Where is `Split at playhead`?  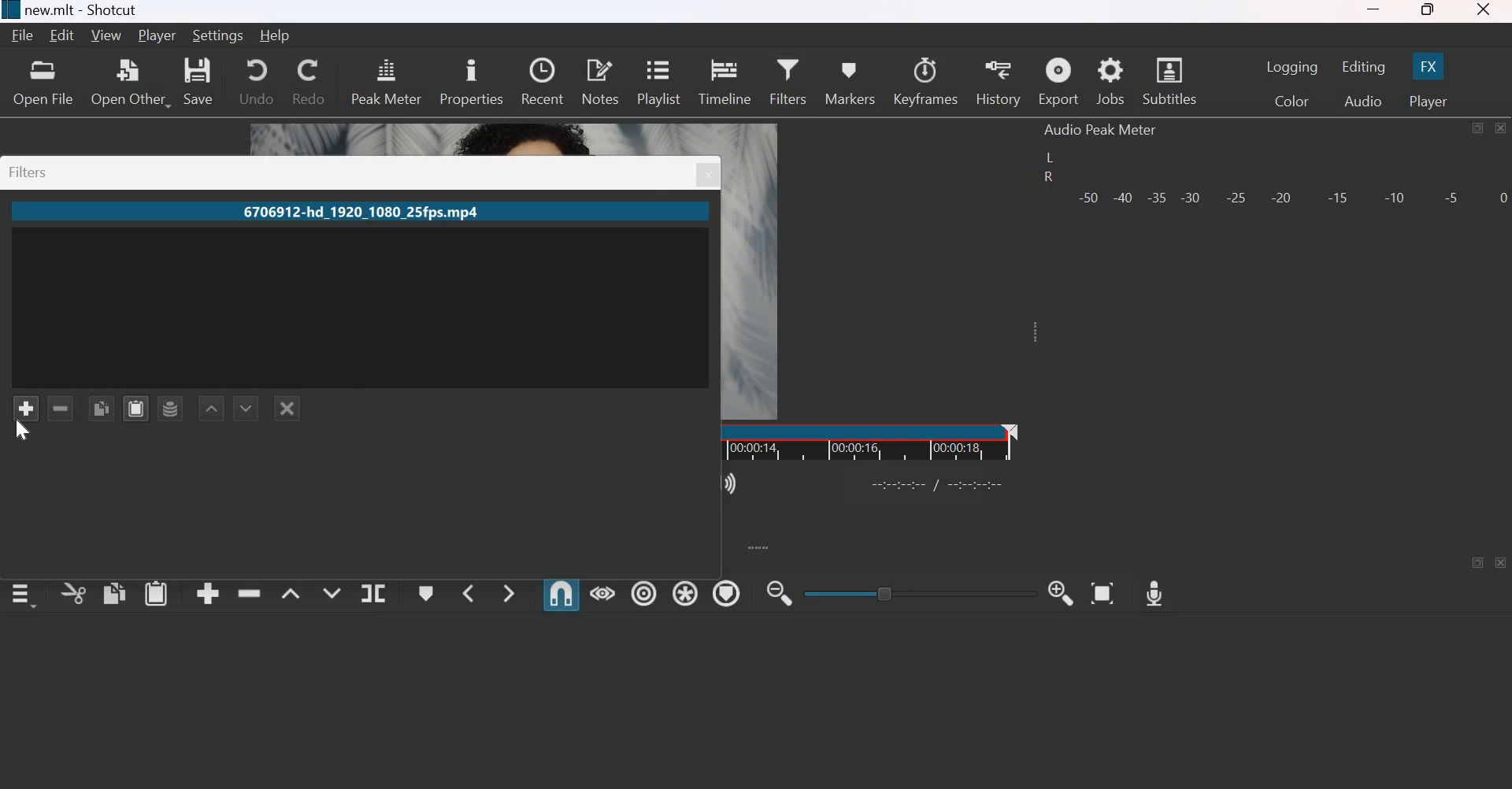
Split at playhead is located at coordinates (372, 594).